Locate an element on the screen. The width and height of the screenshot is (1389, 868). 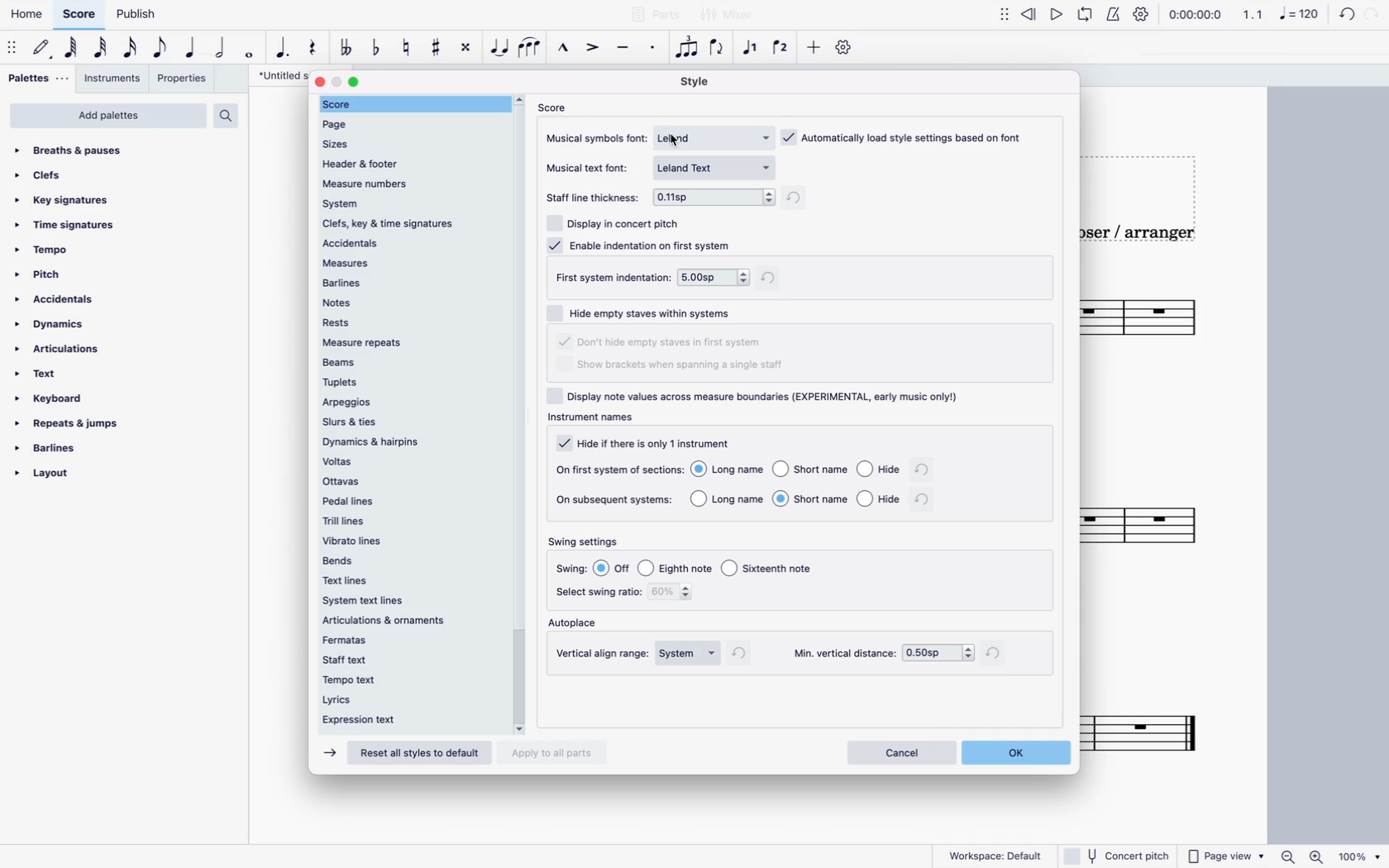
composer / arranger is located at coordinates (1153, 234).